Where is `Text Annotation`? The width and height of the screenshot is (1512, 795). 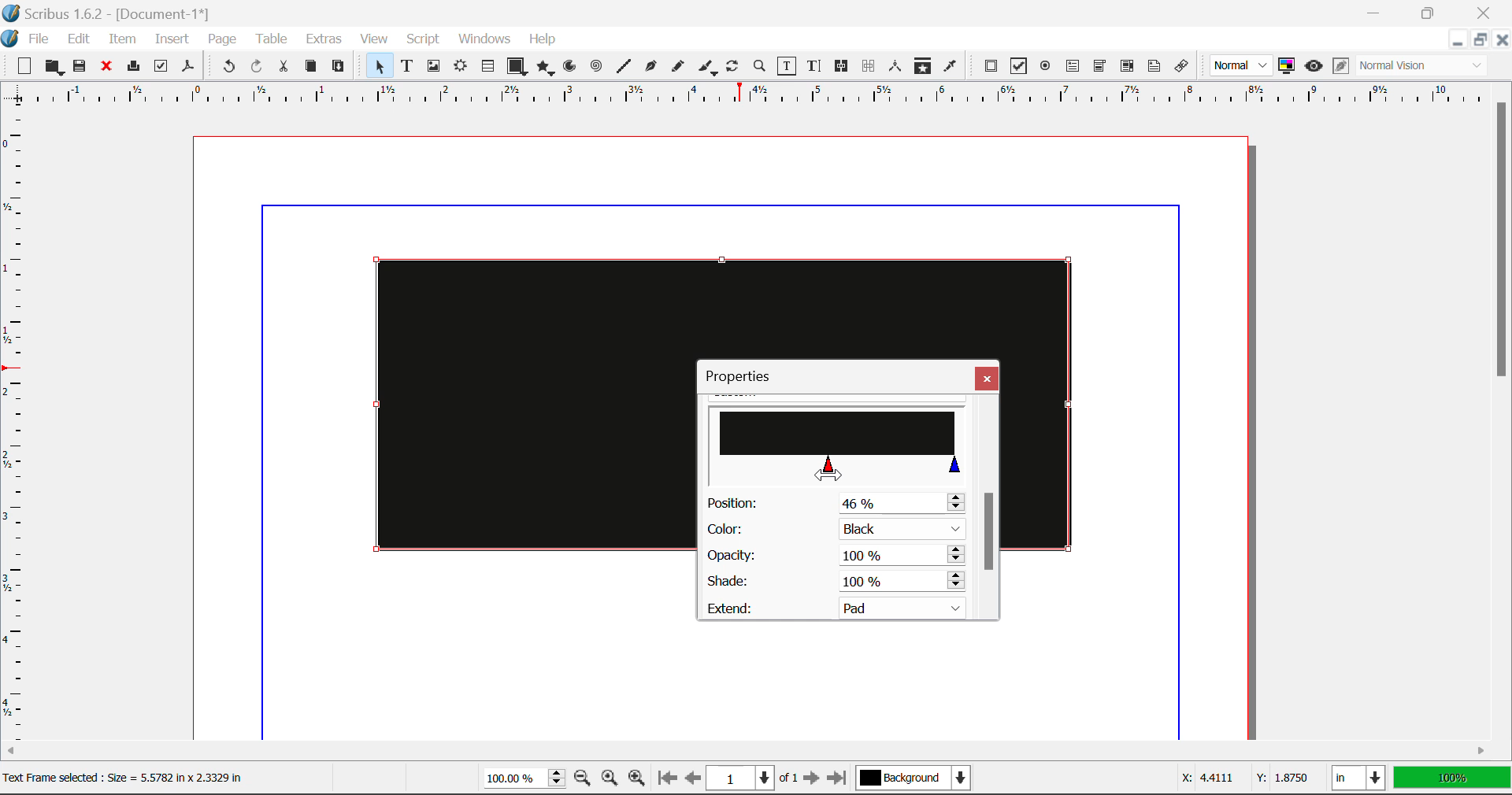 Text Annotation is located at coordinates (1157, 67).